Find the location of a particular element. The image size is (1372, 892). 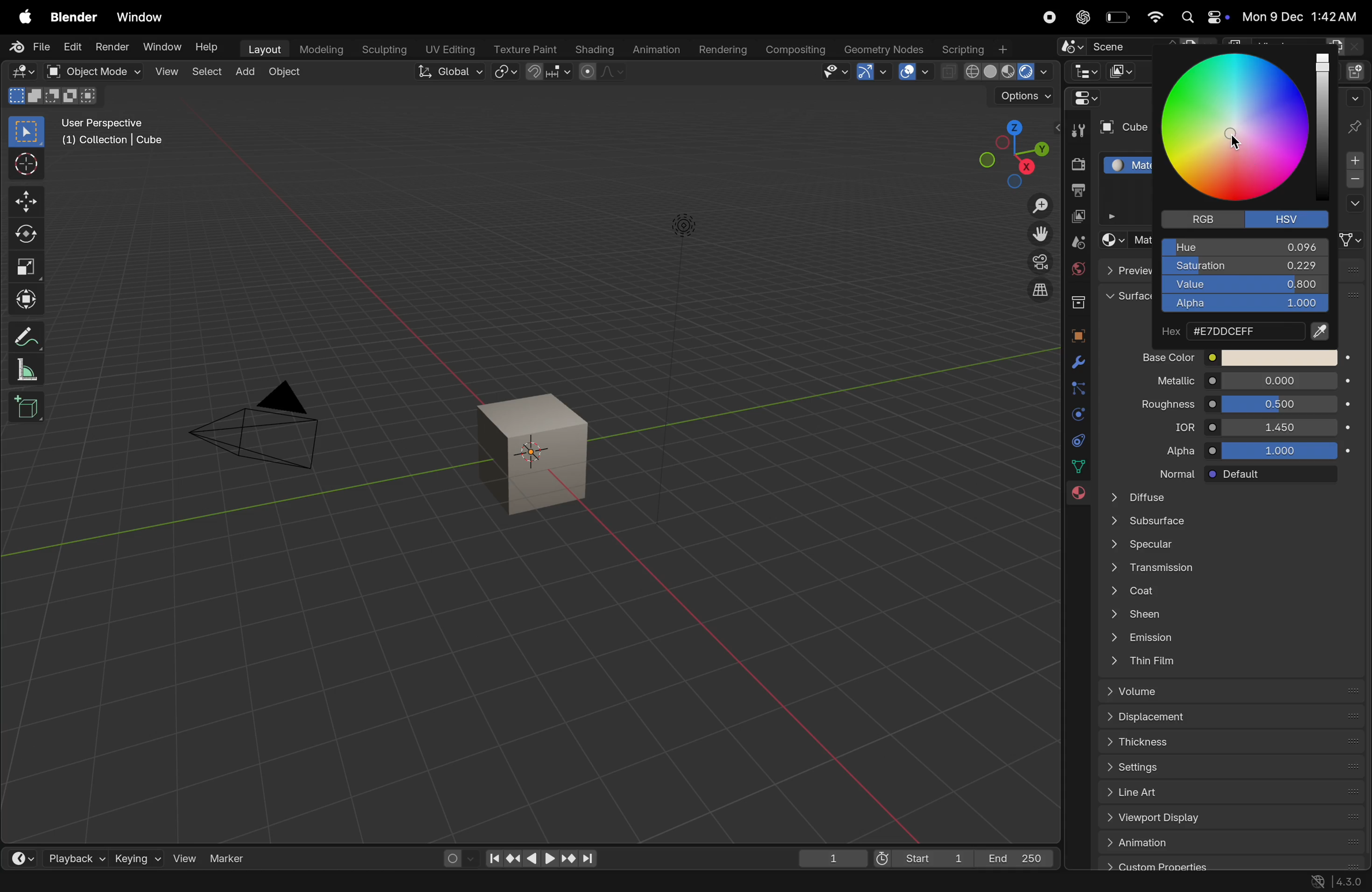

line art is located at coordinates (1226, 792).